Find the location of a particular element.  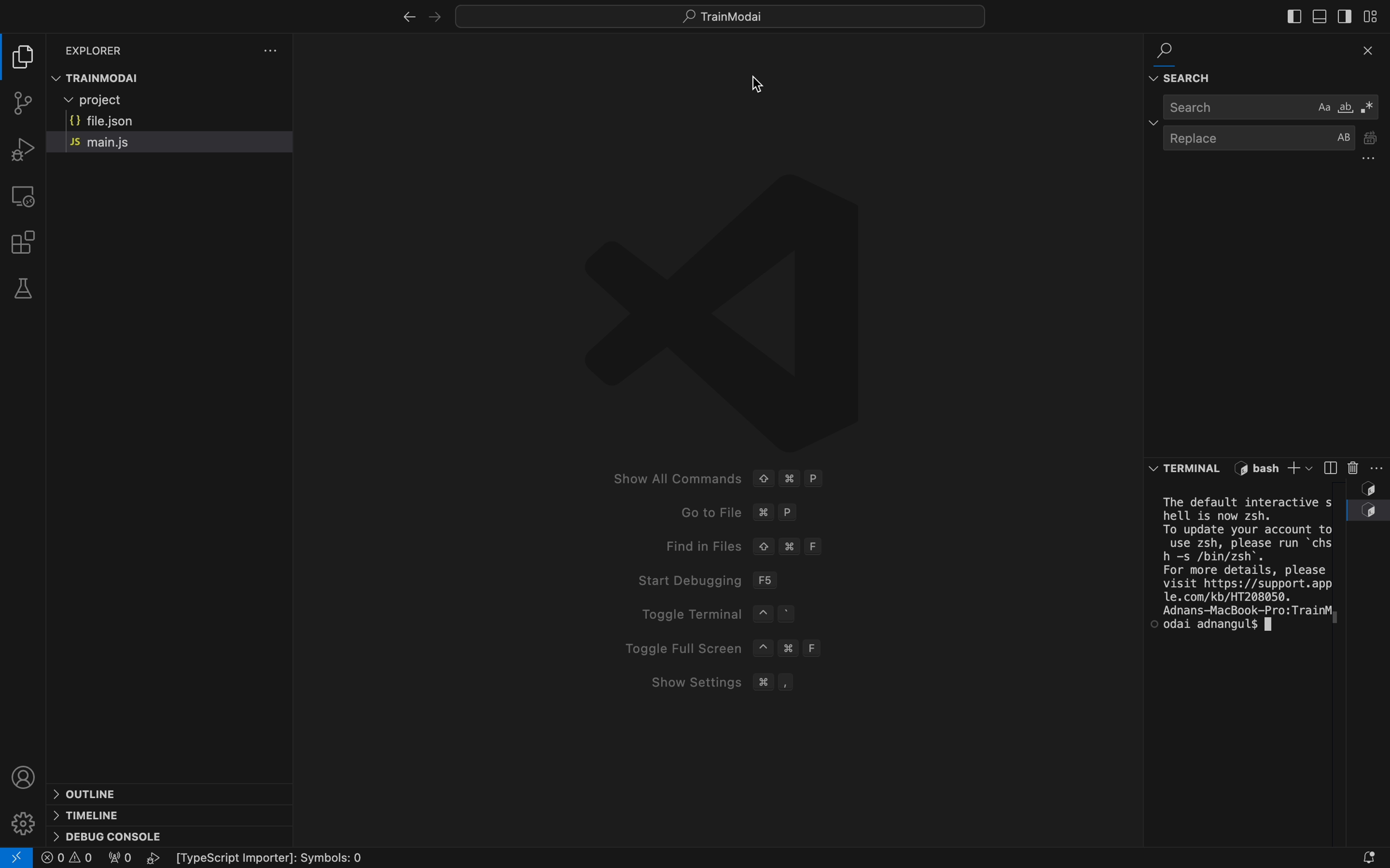

main.js is located at coordinates (126, 142).